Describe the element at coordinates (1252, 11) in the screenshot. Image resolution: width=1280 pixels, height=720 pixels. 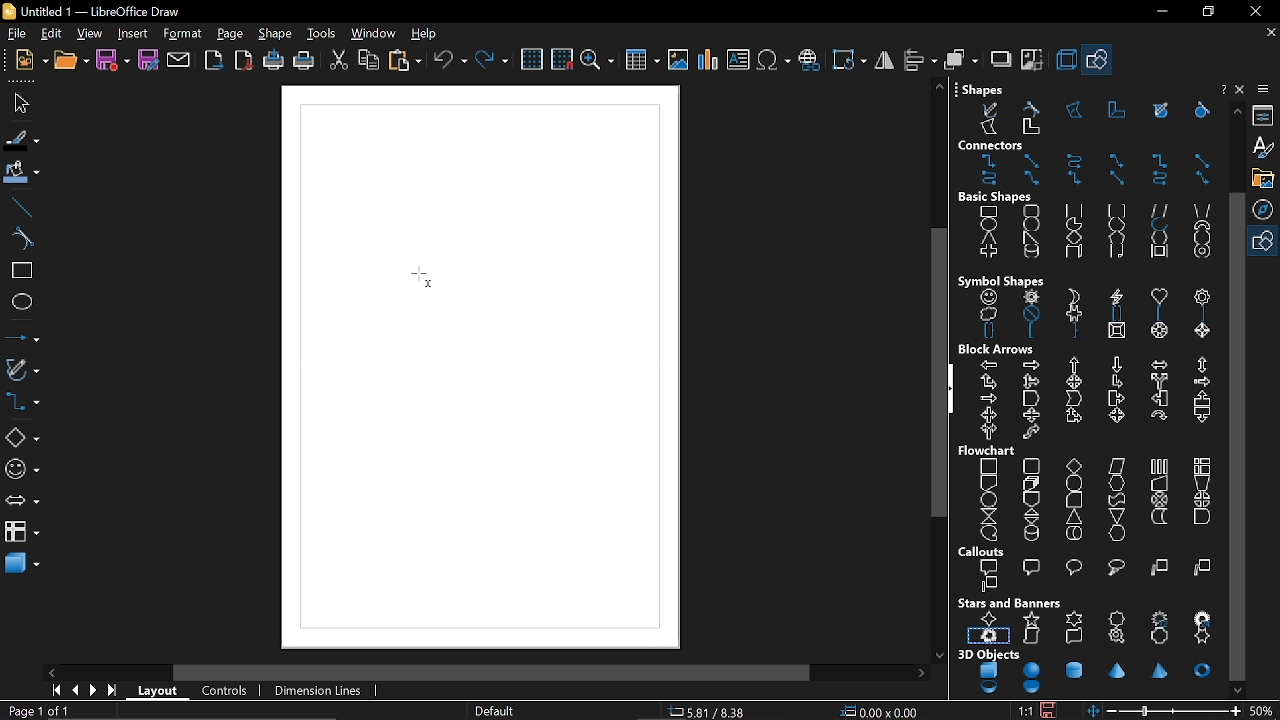
I see `close` at that location.